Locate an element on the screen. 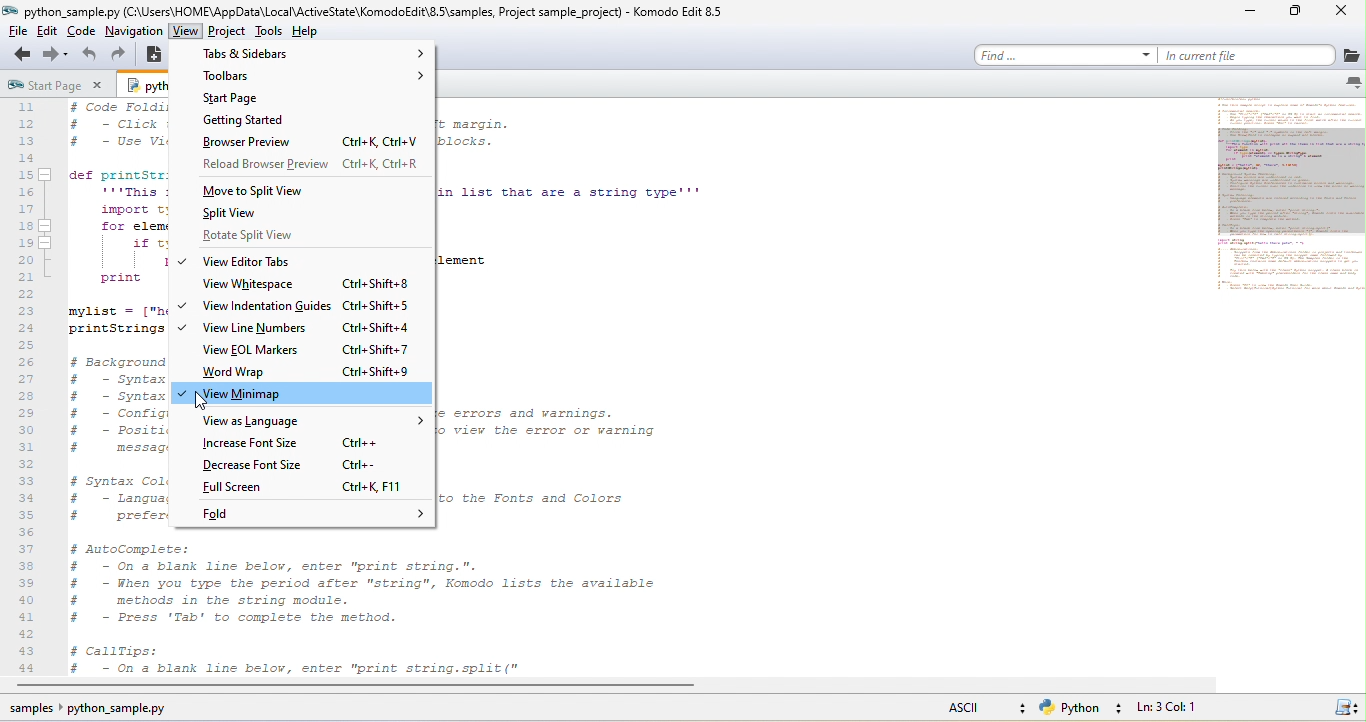  rotate split view is located at coordinates (258, 233).